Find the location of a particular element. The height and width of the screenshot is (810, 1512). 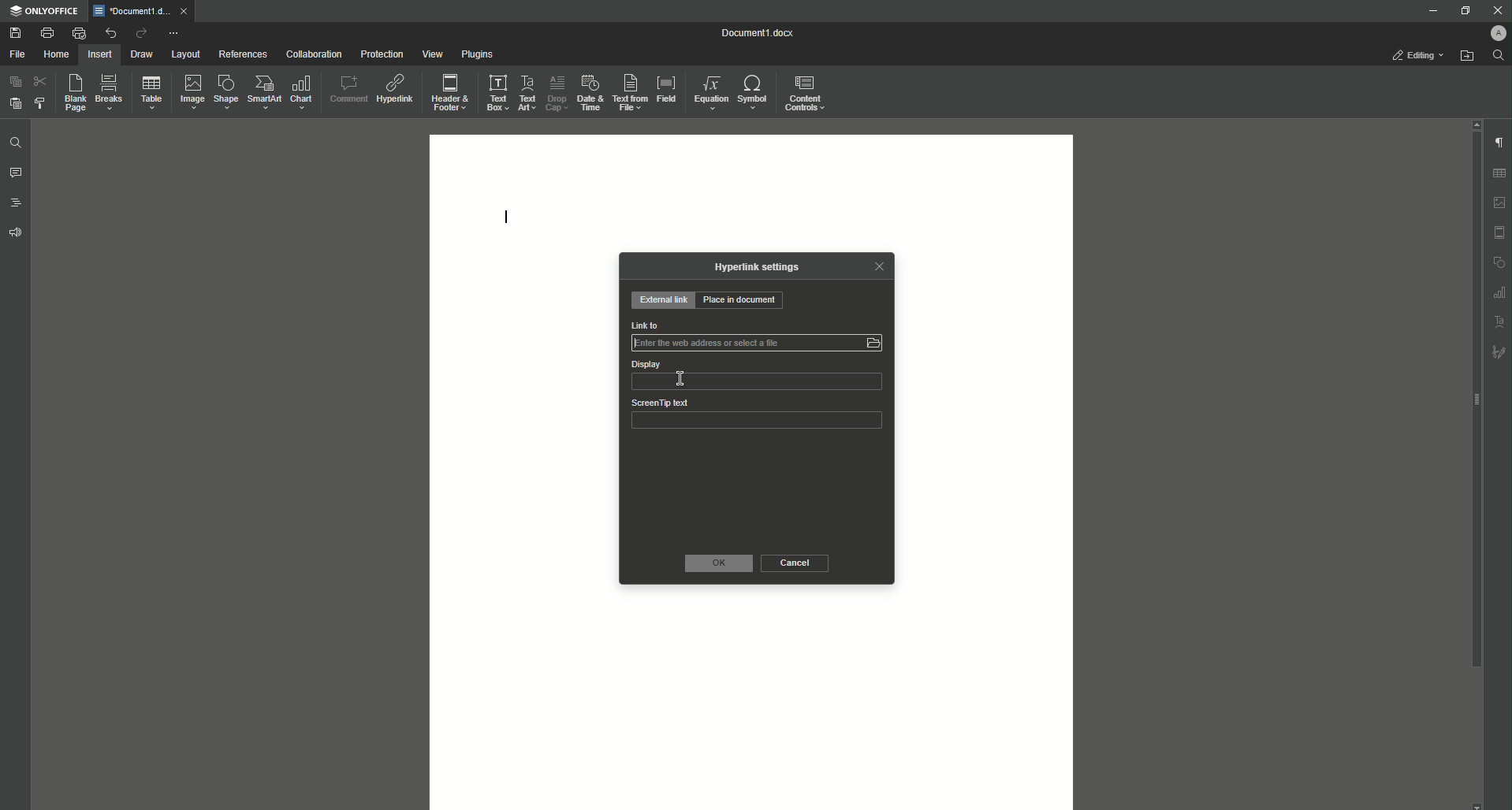

Text Art settings is located at coordinates (1500, 322).